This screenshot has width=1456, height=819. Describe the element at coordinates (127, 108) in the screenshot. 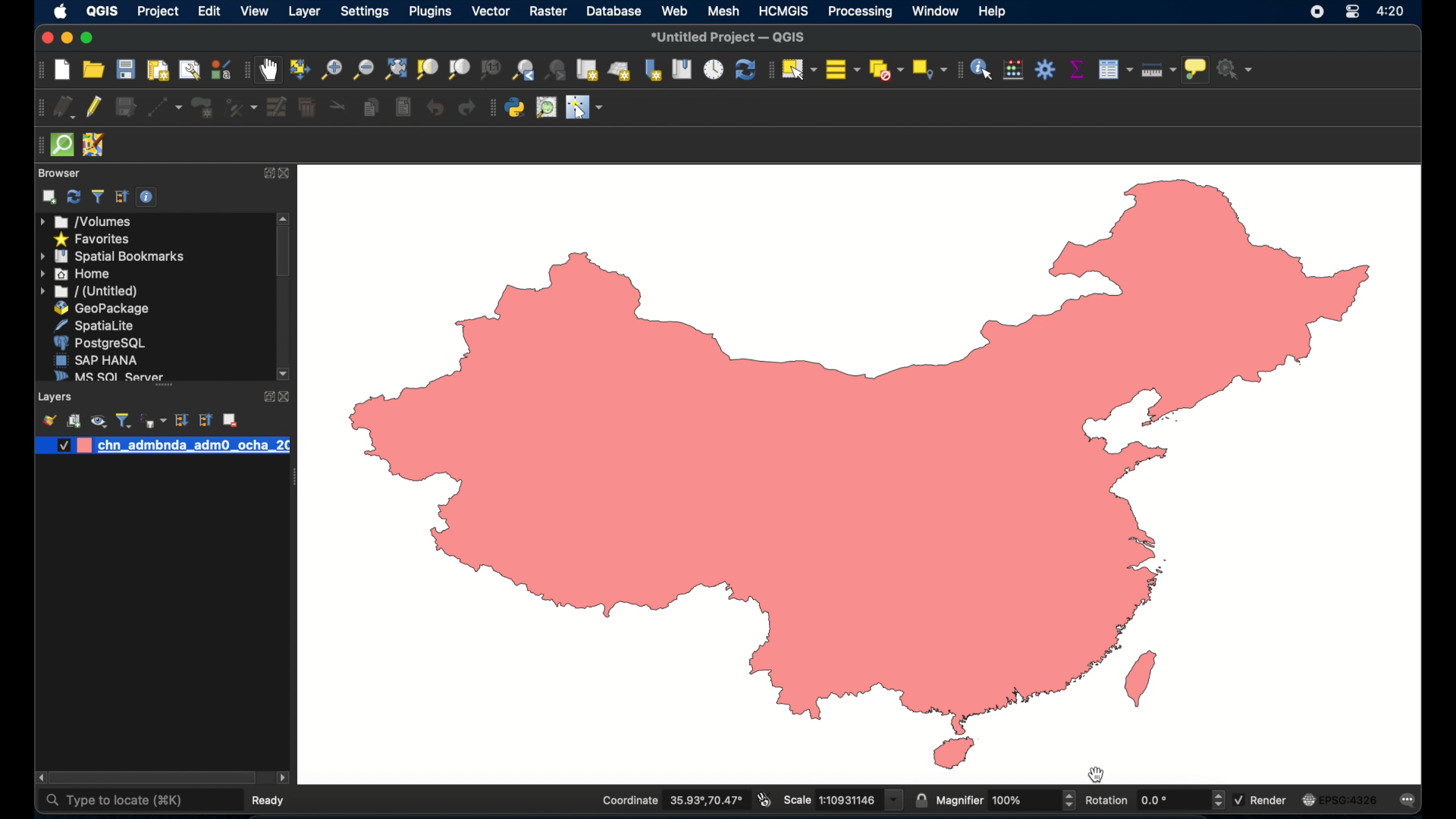

I see `save edits` at that location.